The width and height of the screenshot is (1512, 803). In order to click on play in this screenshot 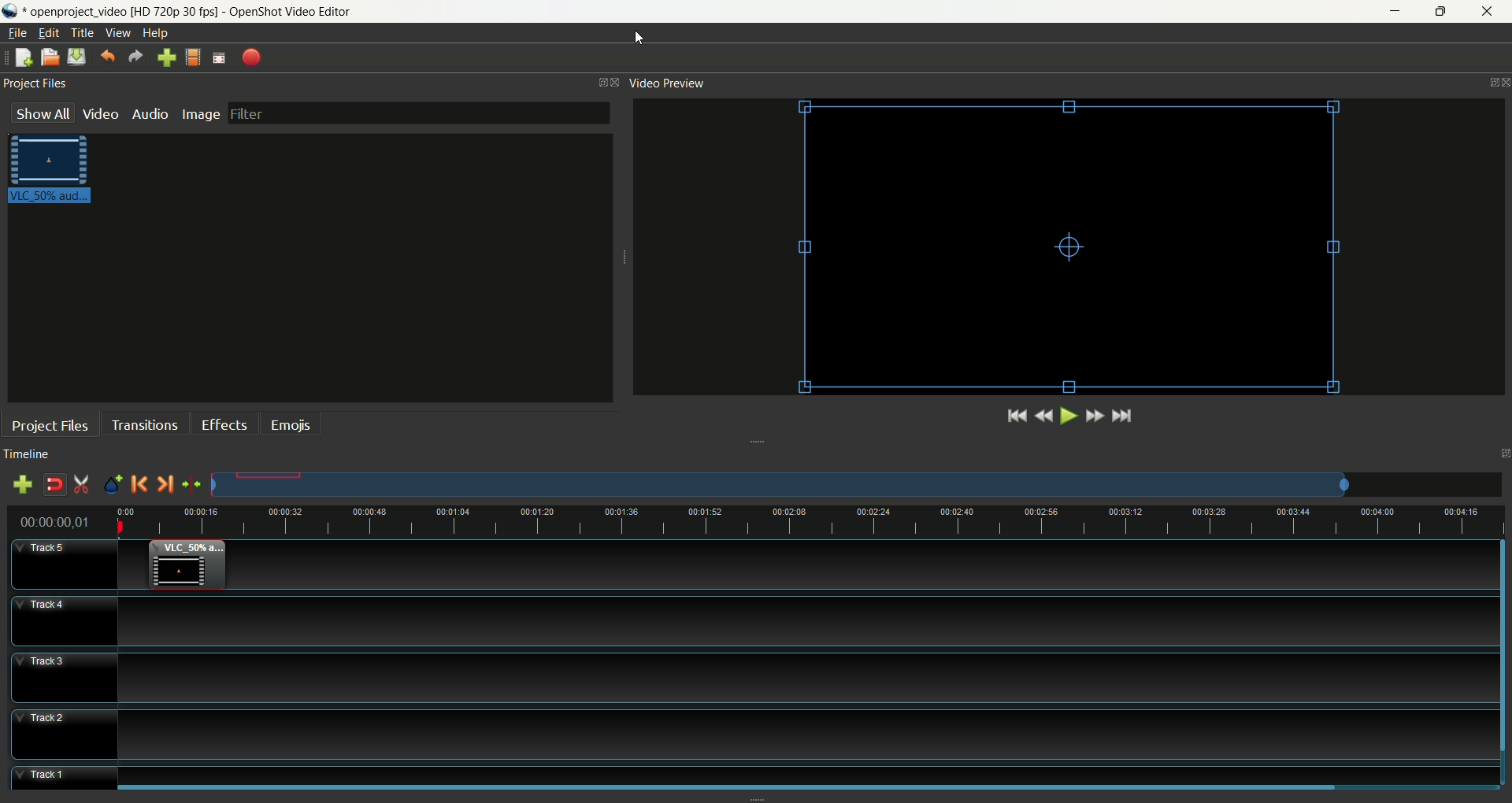, I will do `click(1069, 417)`.